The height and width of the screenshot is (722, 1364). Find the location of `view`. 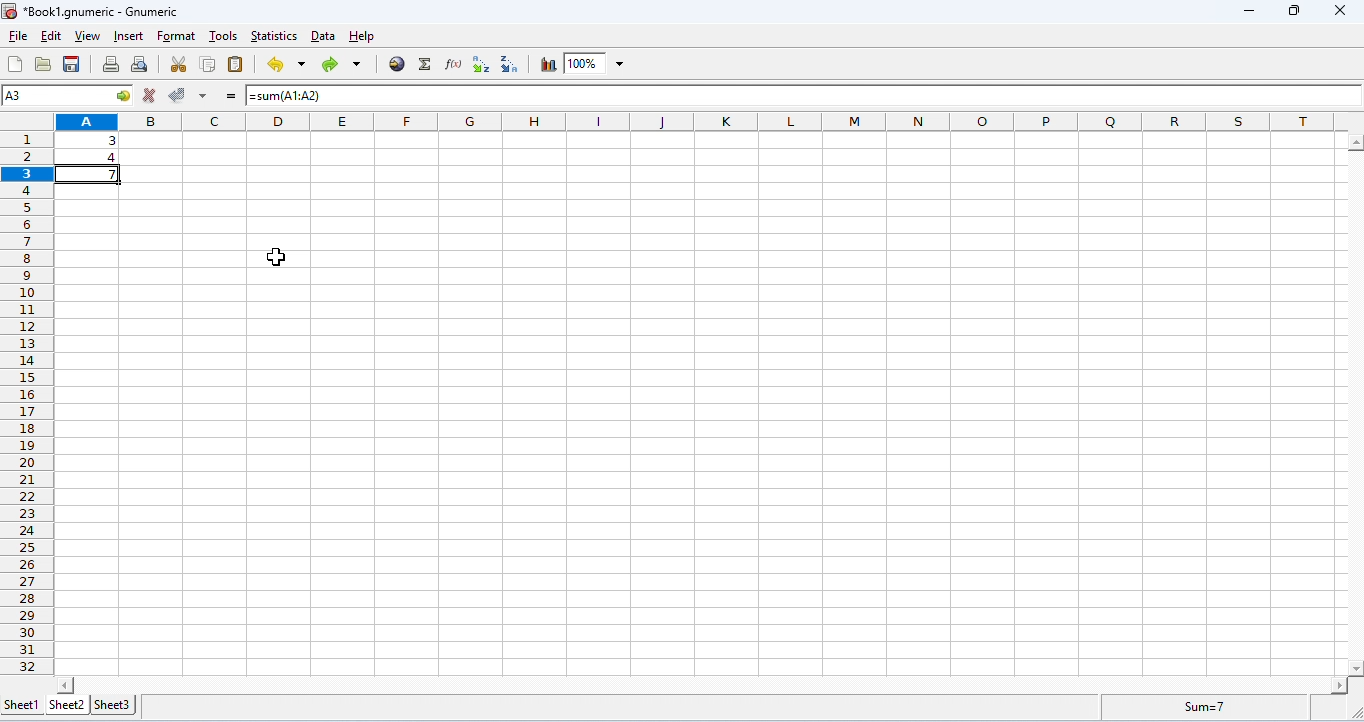

view is located at coordinates (89, 37).